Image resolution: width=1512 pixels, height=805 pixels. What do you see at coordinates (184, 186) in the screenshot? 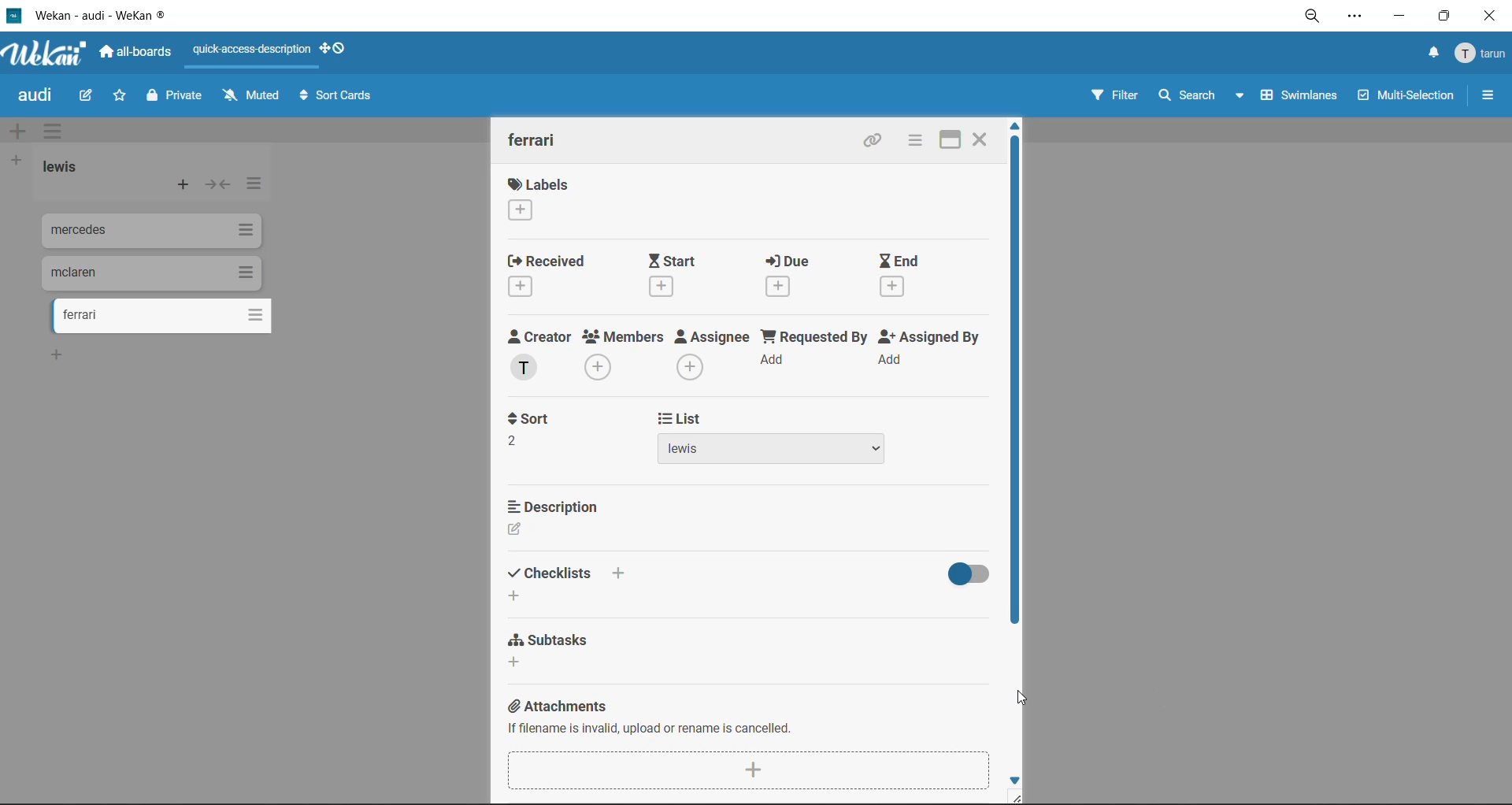
I see `add card` at bounding box center [184, 186].